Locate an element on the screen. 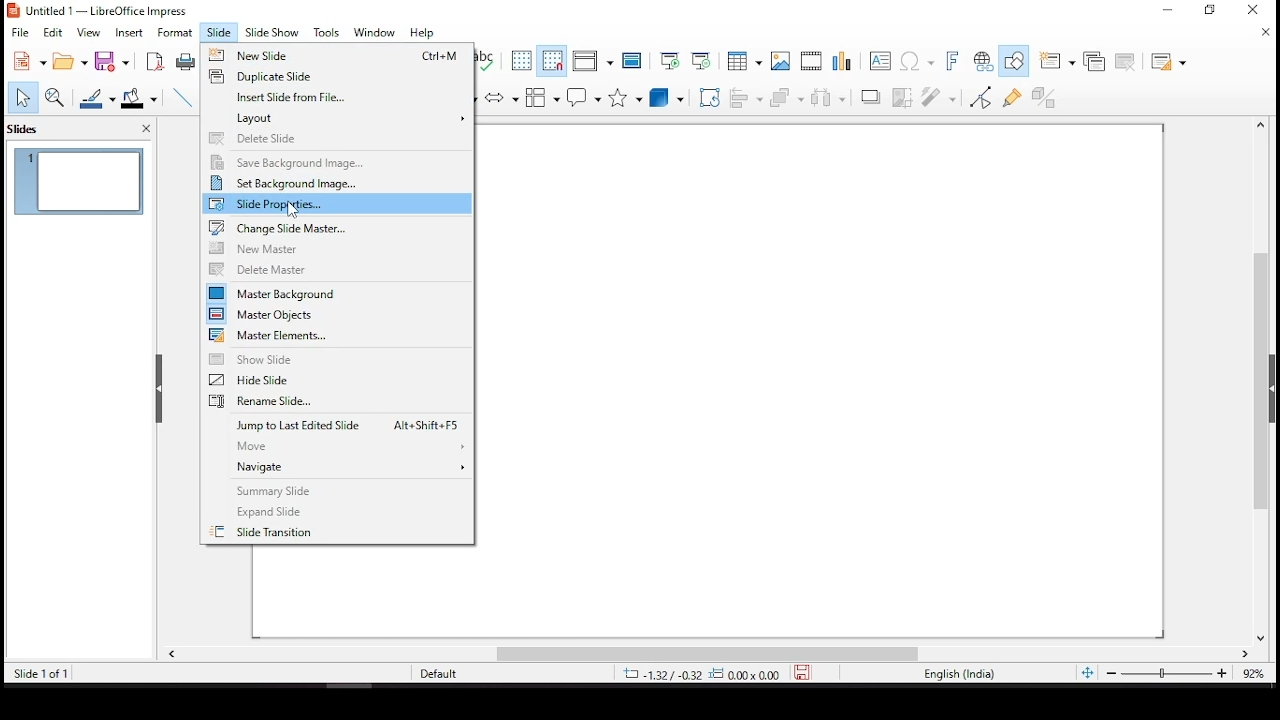  3D objects is located at coordinates (667, 96).